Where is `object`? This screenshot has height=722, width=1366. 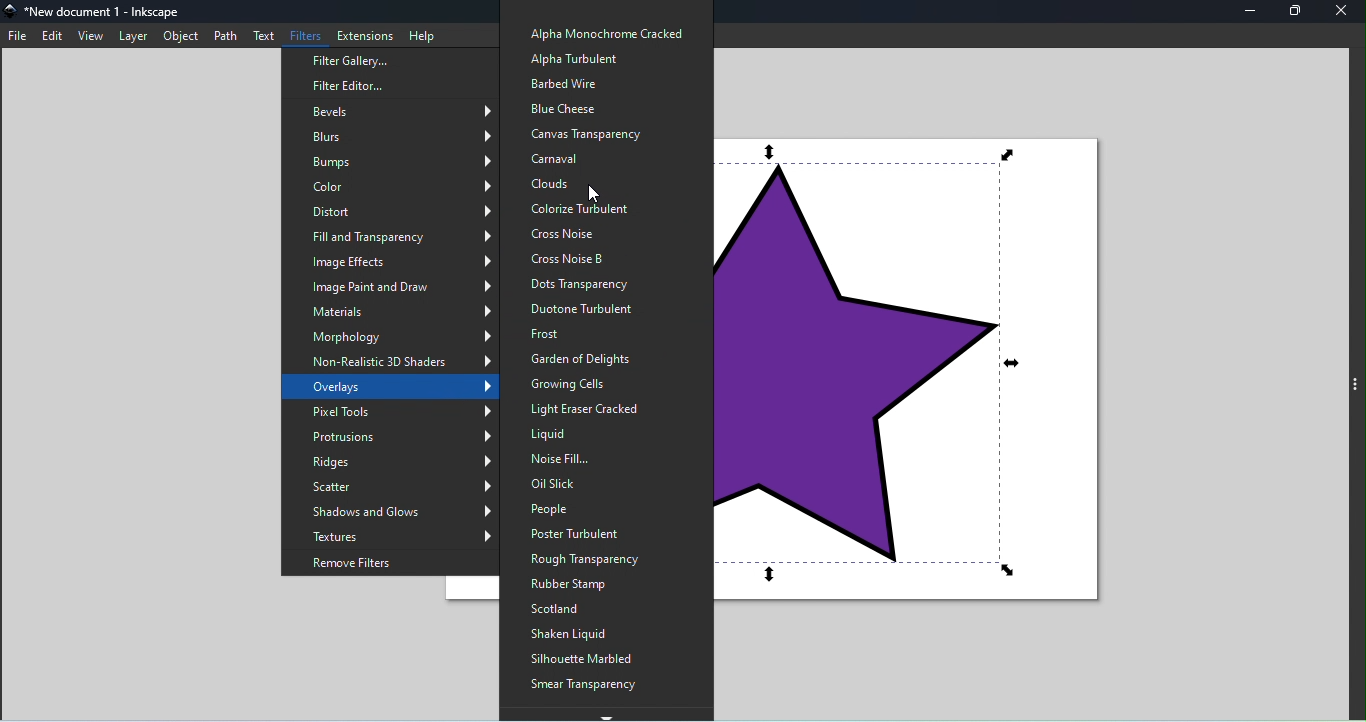 object is located at coordinates (184, 36).